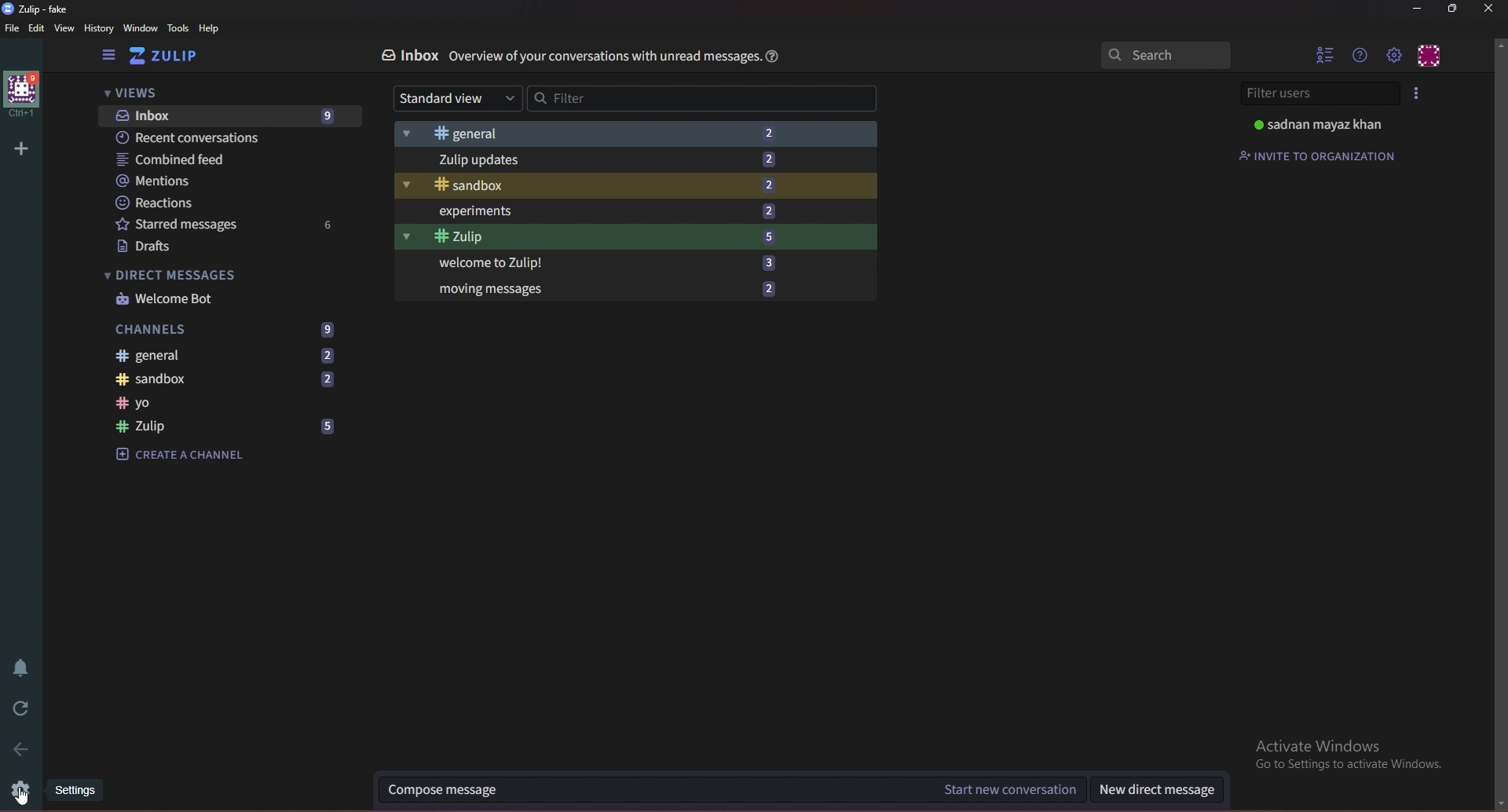  I want to click on Go to home view, so click(174, 57).